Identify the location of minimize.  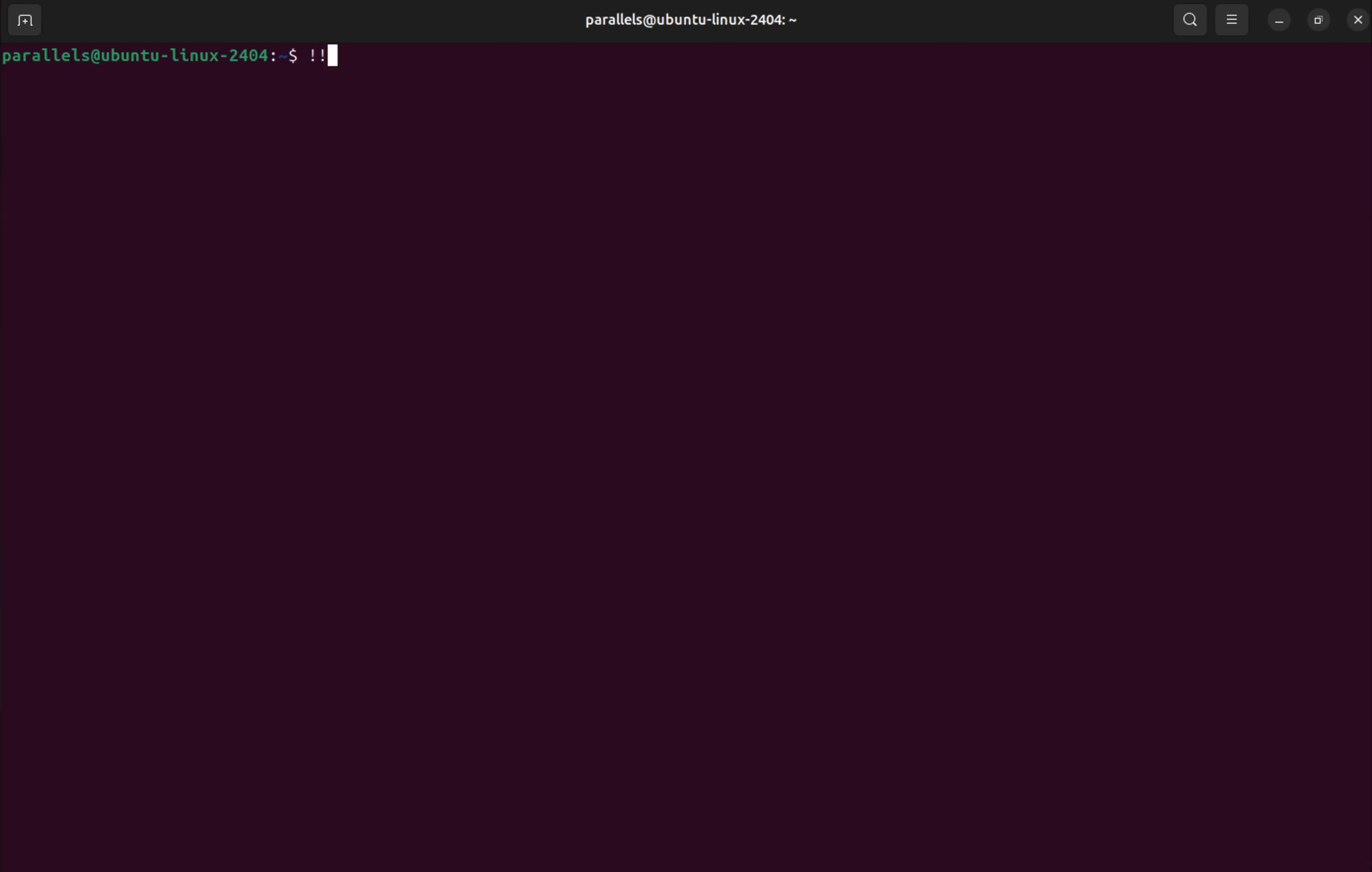
(1280, 21).